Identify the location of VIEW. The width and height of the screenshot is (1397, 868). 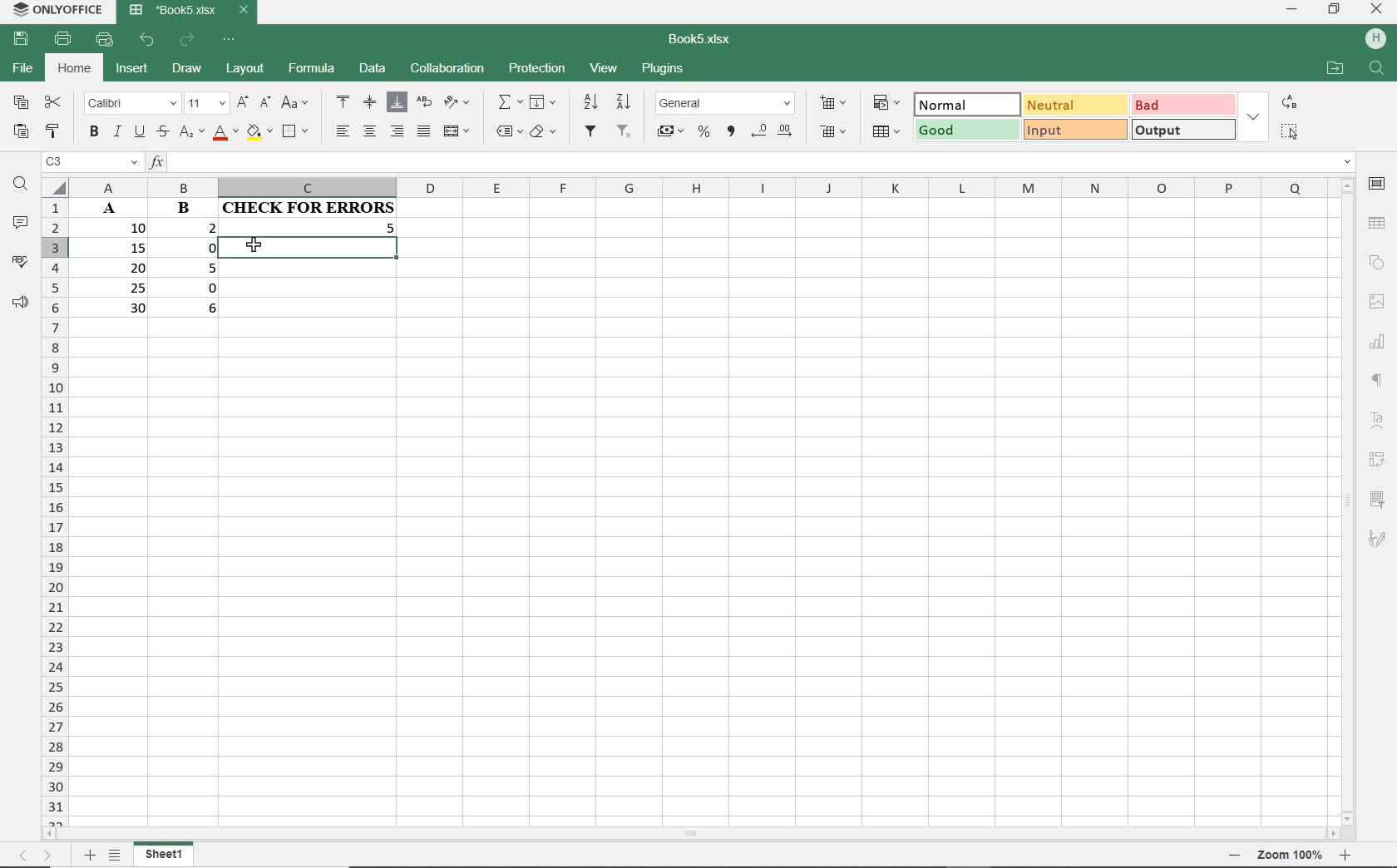
(605, 70).